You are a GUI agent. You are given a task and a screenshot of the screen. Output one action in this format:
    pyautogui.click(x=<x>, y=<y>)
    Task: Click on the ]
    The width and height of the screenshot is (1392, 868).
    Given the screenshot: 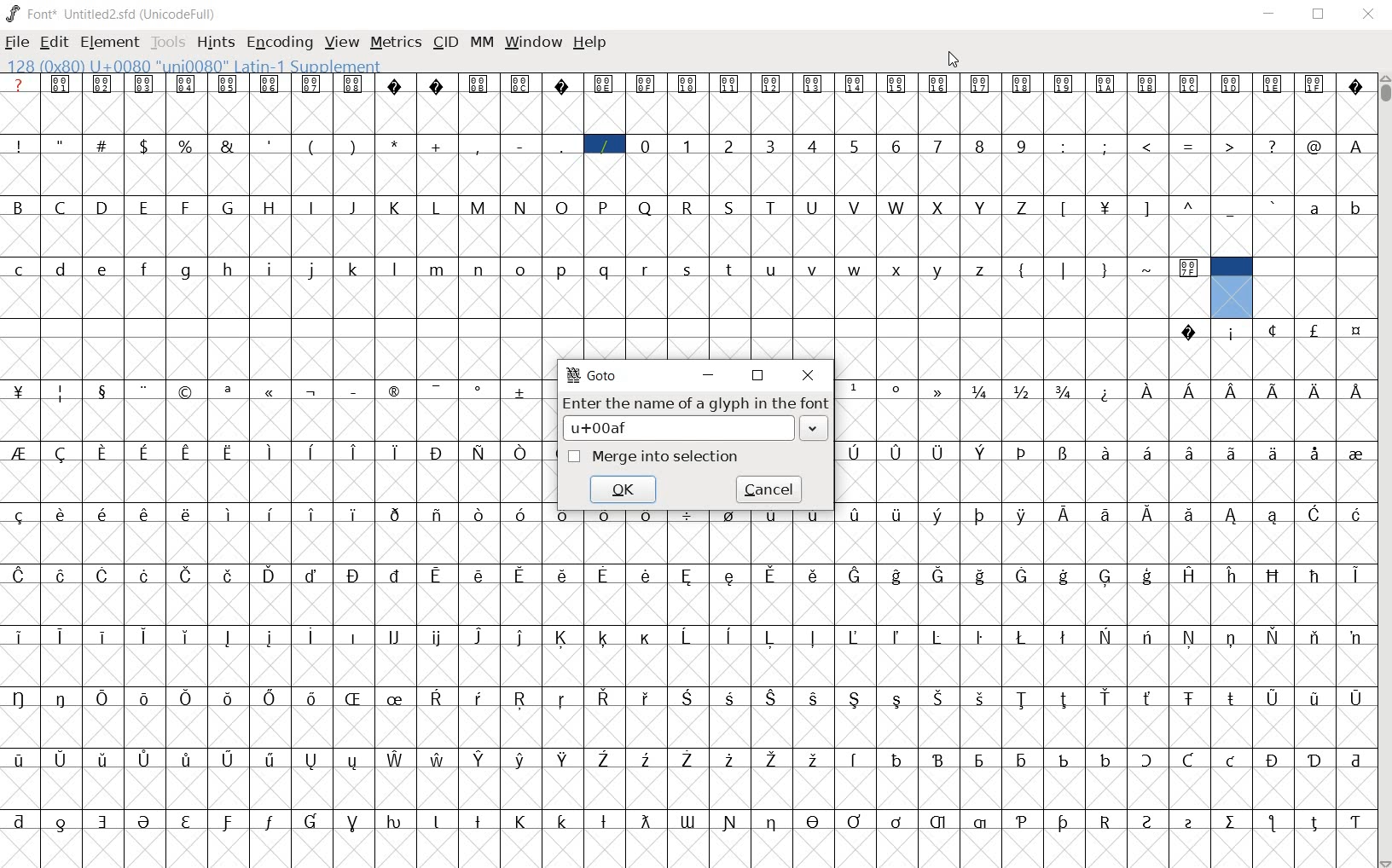 What is the action you would take?
    pyautogui.click(x=1147, y=206)
    